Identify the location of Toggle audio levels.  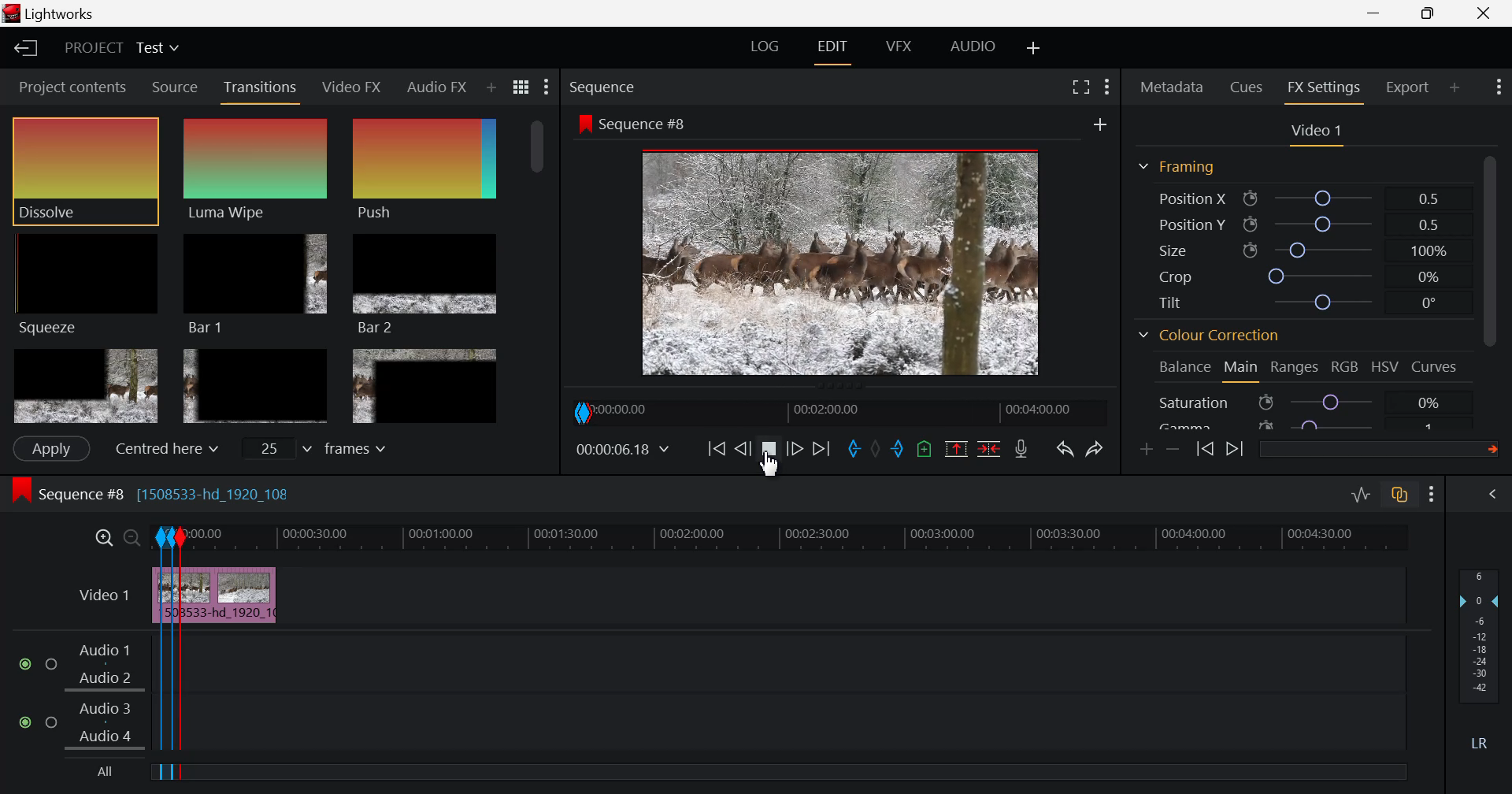
(1361, 495).